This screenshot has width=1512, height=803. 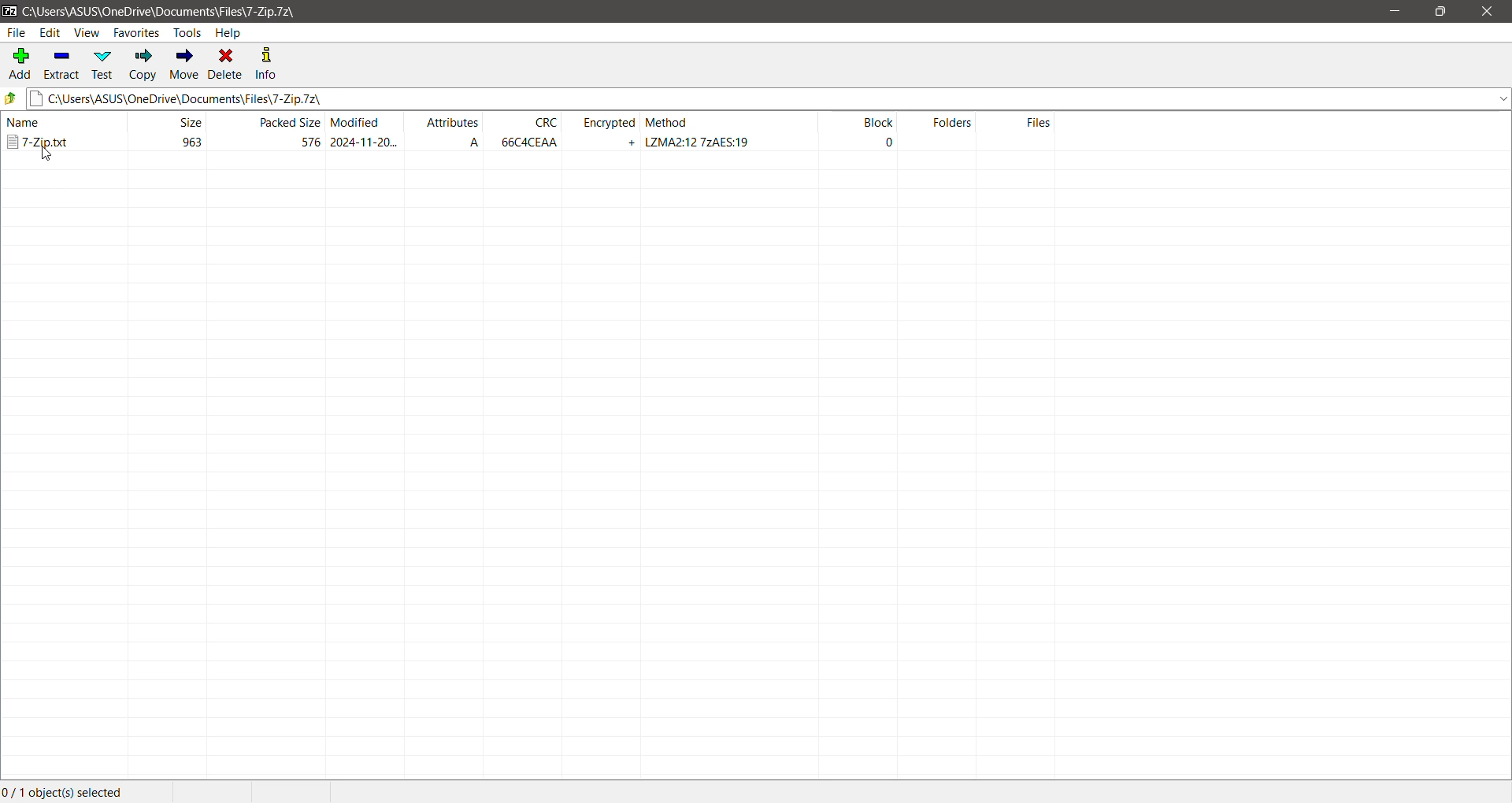 I want to click on Favorites, so click(x=137, y=33).